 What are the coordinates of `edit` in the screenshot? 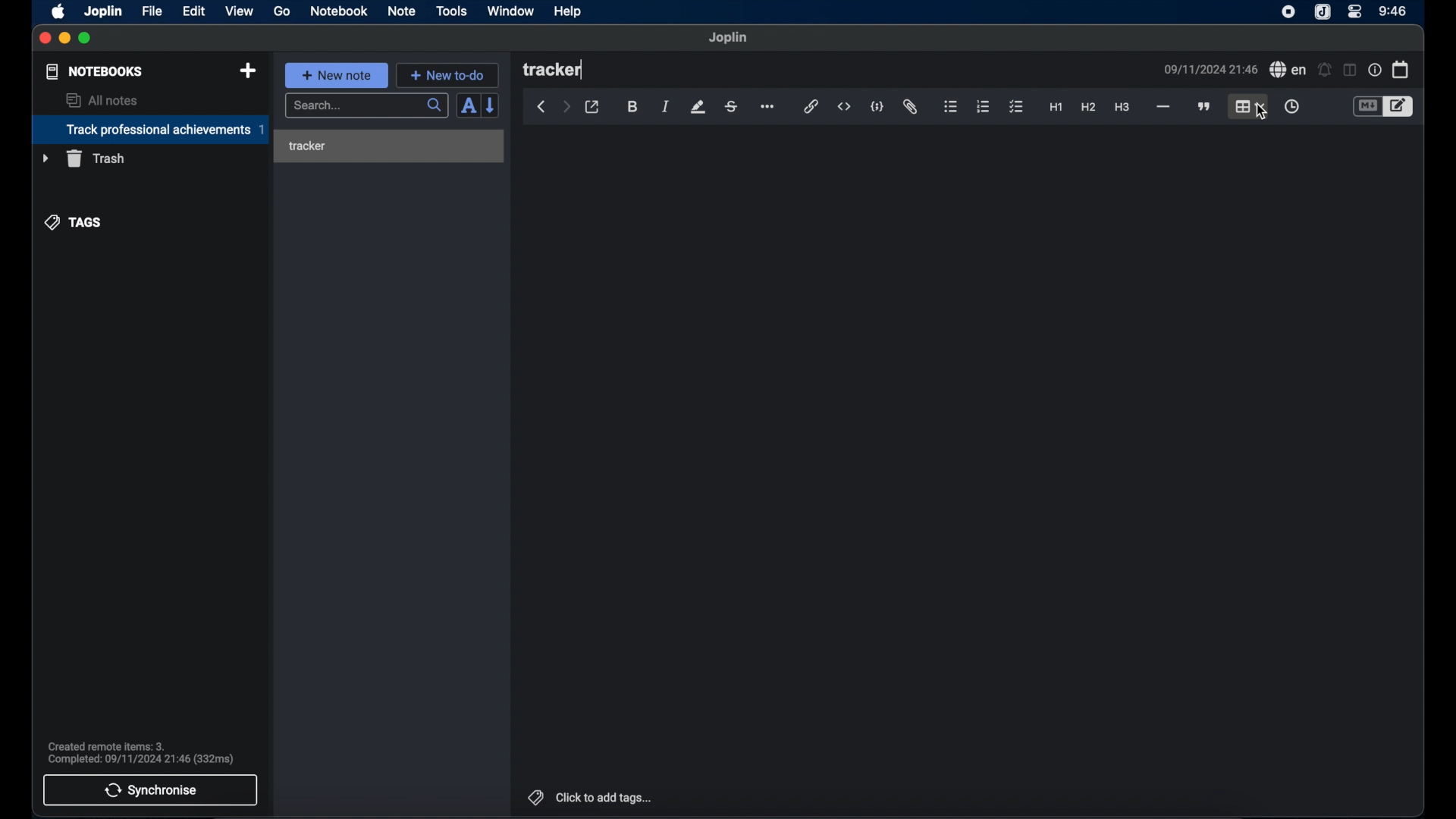 It's located at (195, 11).